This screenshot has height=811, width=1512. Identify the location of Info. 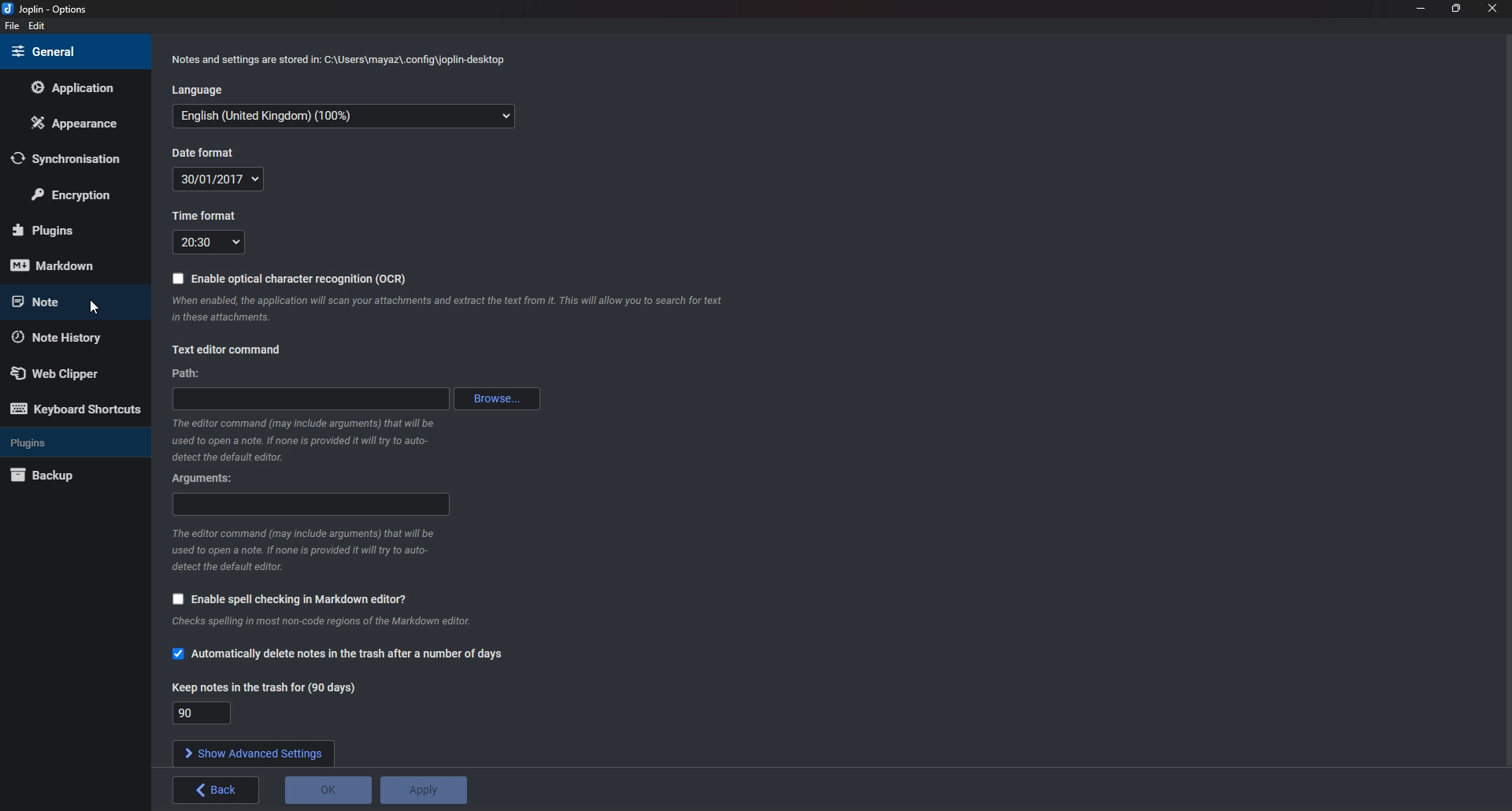
(445, 310).